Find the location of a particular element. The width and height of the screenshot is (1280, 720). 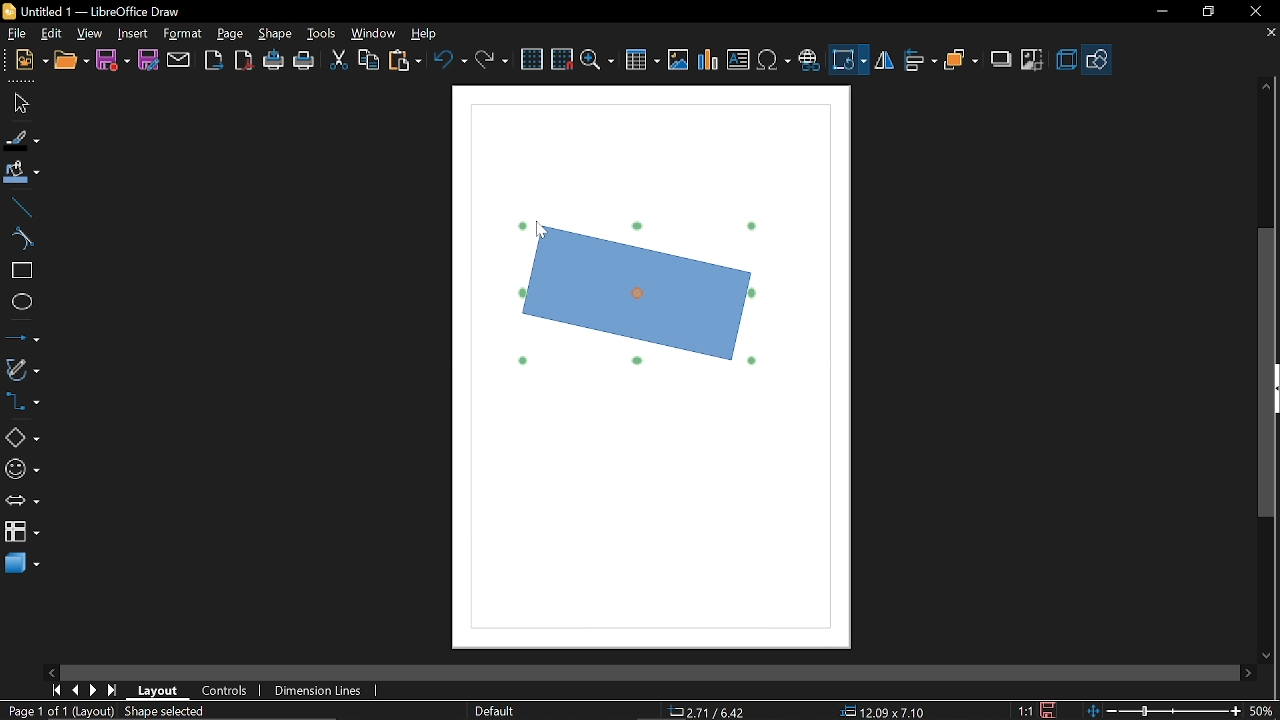

Page is located at coordinates (230, 34).